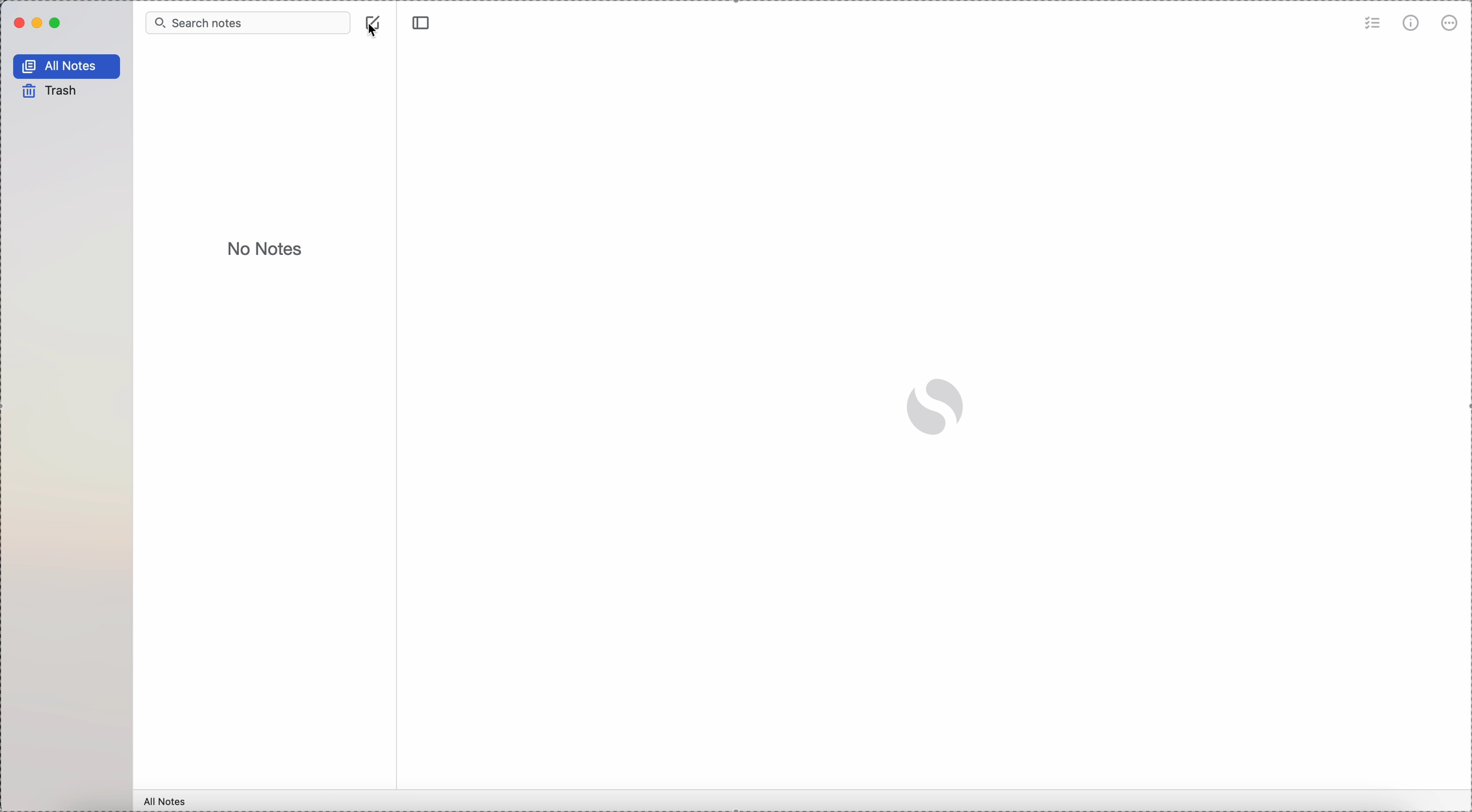 The image size is (1472, 812). I want to click on toggle sidebar, so click(419, 23).